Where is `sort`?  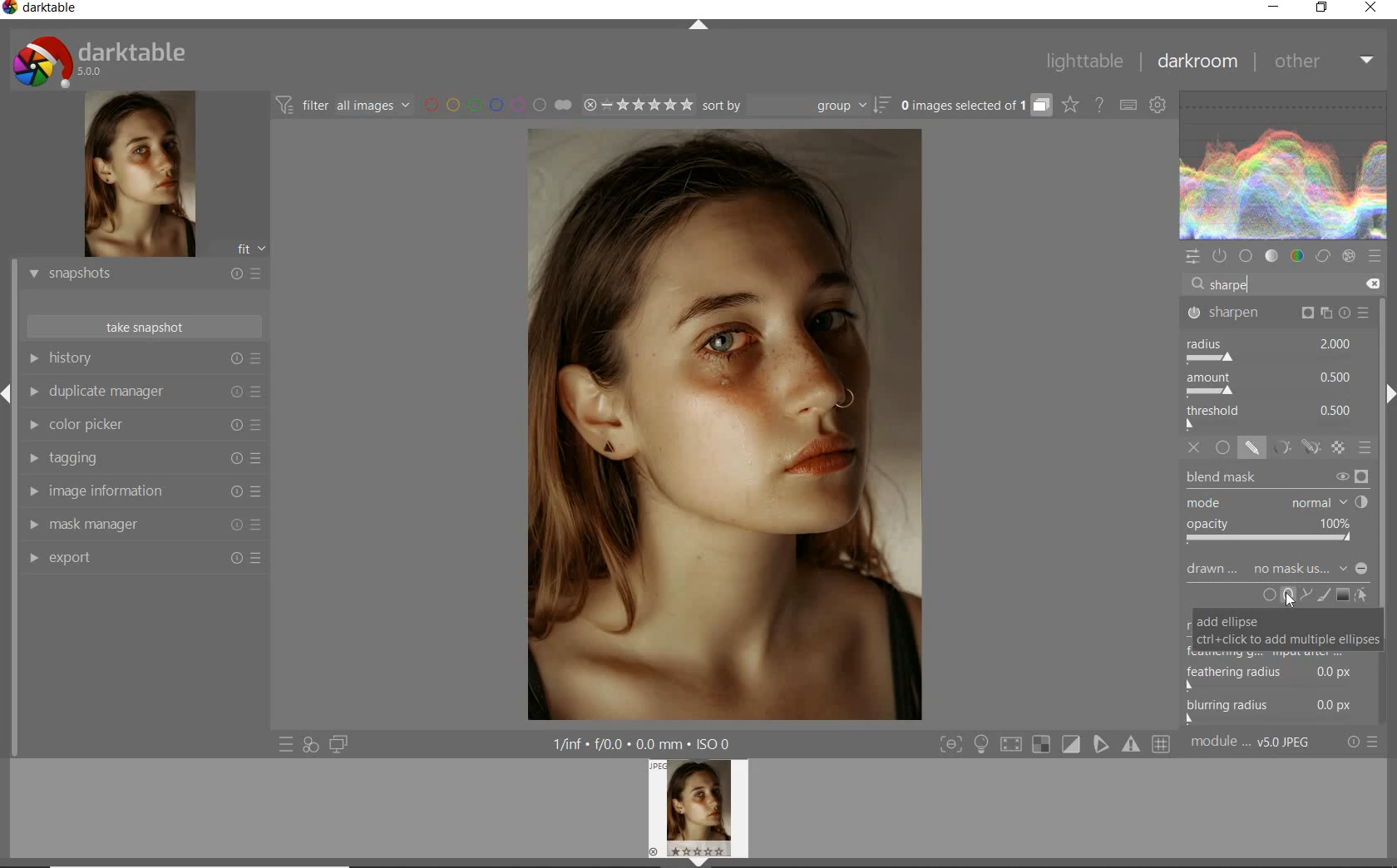 sort is located at coordinates (795, 106).